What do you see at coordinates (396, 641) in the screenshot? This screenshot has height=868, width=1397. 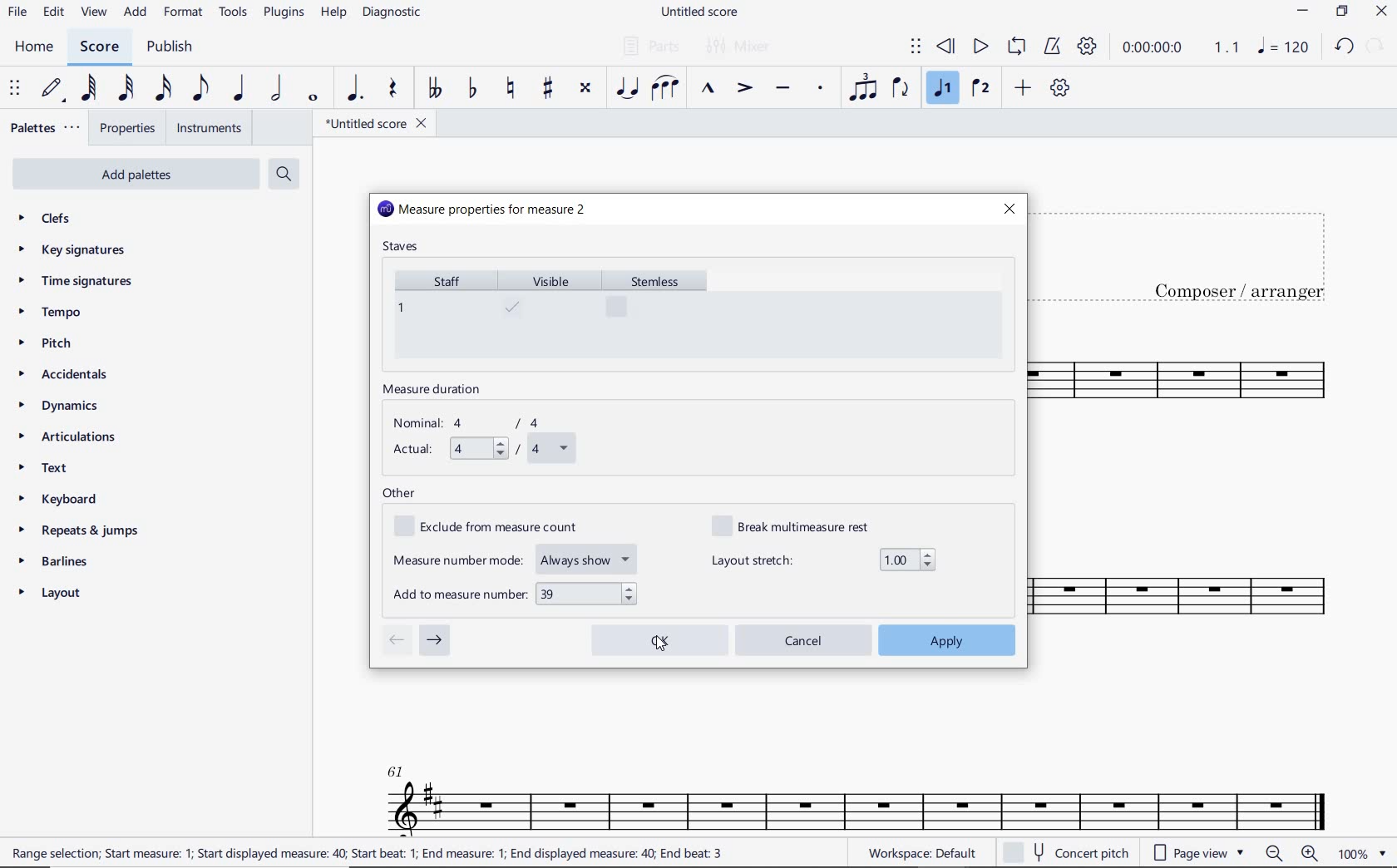 I see `go to previous measure` at bounding box center [396, 641].